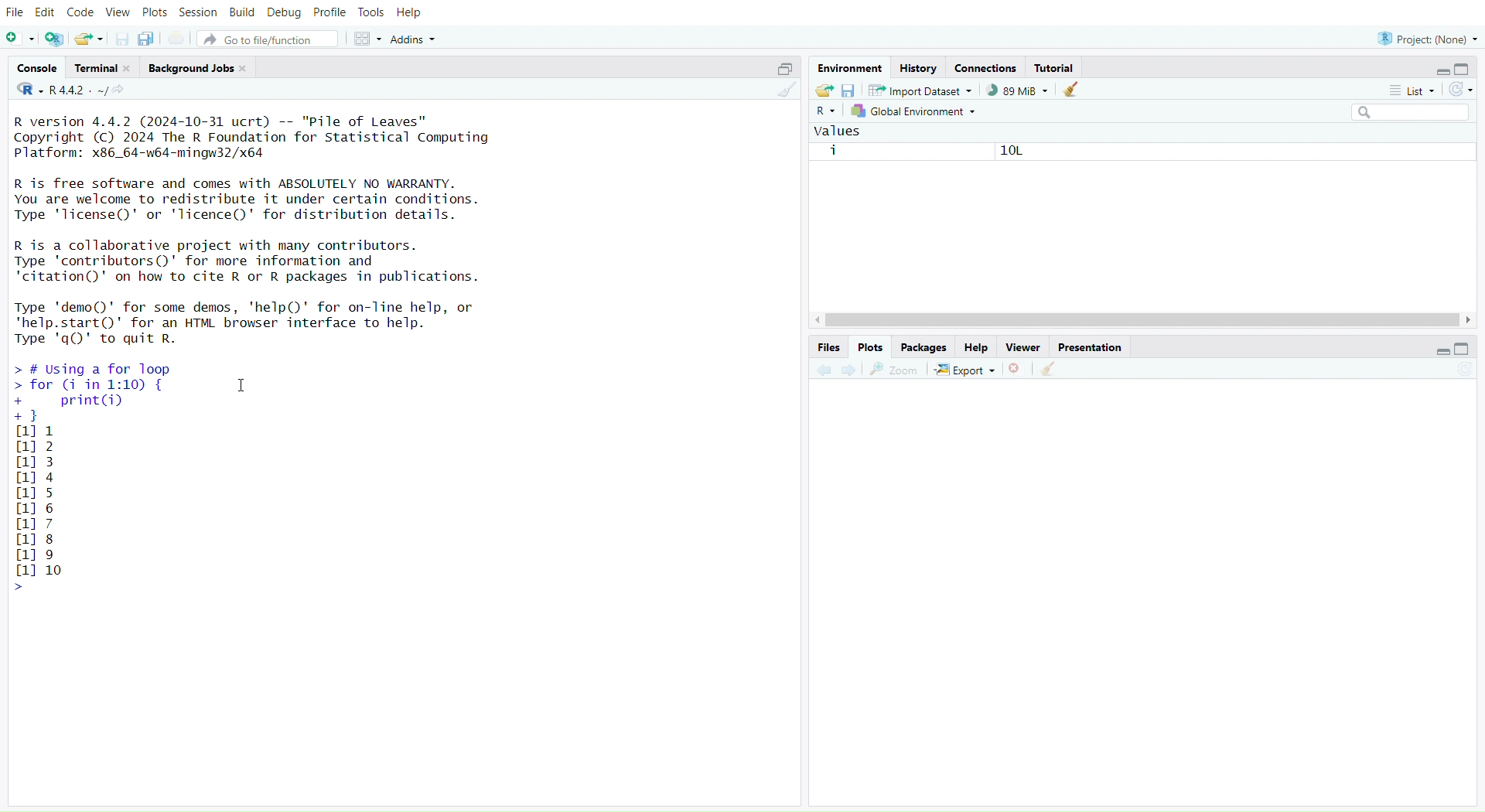  I want to click on export, so click(963, 371).